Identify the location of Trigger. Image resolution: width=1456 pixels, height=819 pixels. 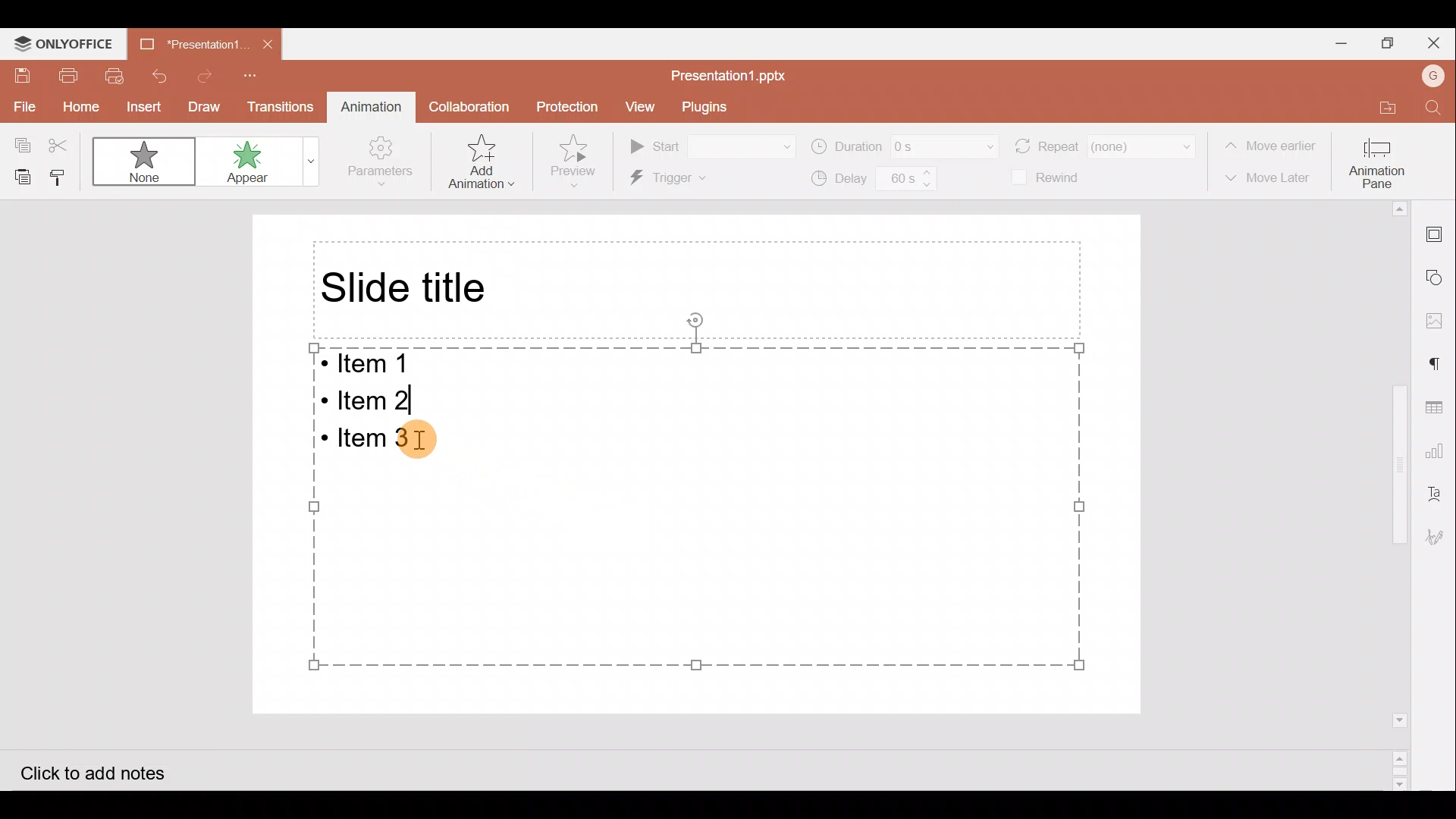
(695, 177).